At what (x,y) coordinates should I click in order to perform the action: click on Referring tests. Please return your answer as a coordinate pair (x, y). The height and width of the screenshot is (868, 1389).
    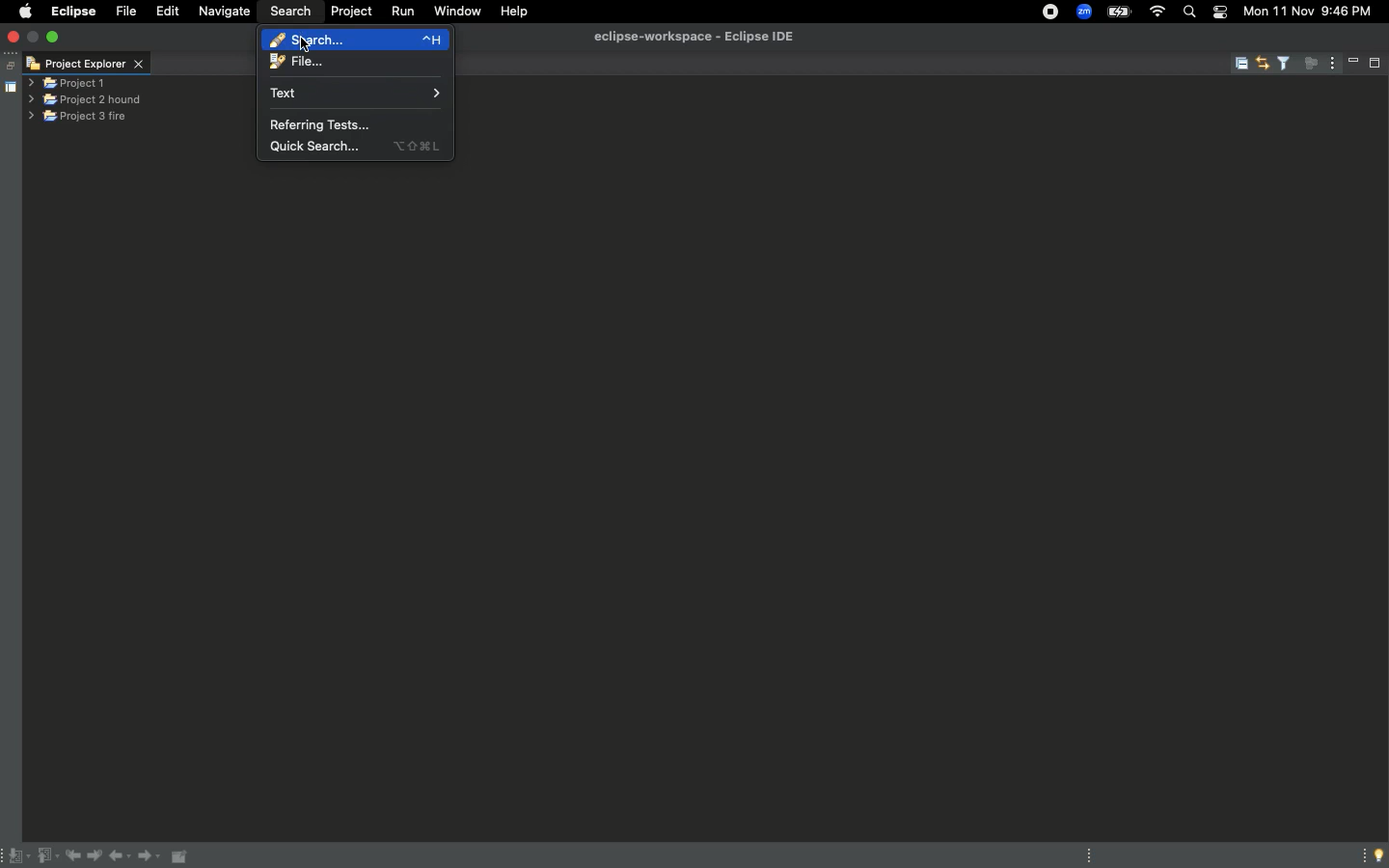
    Looking at the image, I should click on (321, 124).